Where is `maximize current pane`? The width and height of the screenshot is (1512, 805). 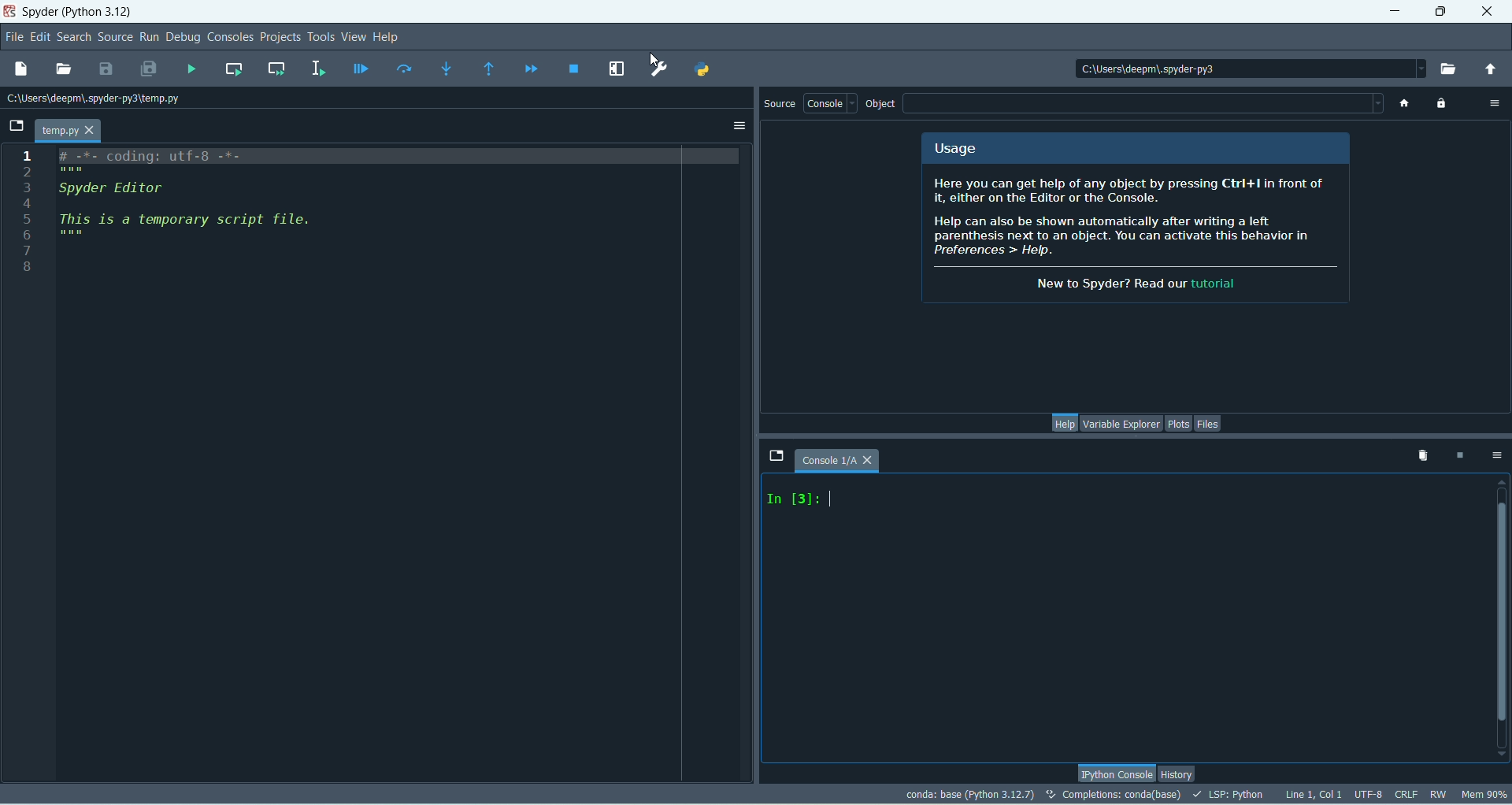
maximize current pane is located at coordinates (617, 69).